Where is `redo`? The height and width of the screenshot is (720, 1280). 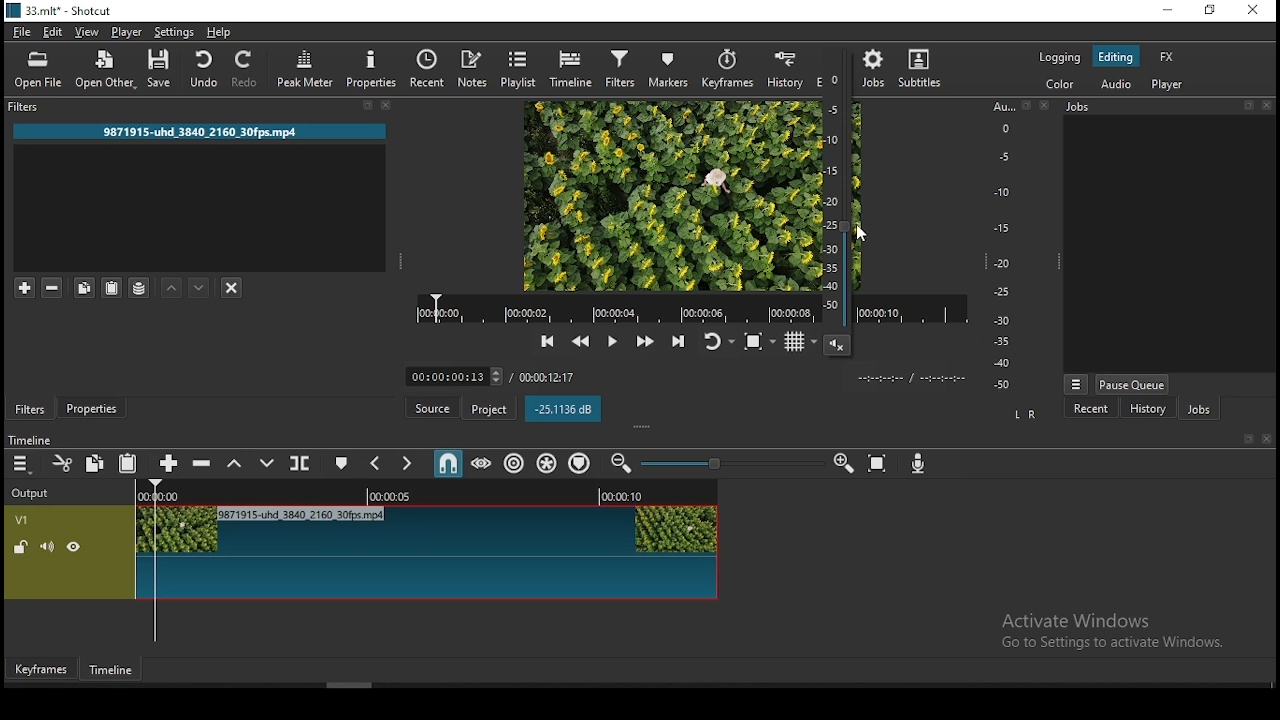
redo is located at coordinates (247, 70).